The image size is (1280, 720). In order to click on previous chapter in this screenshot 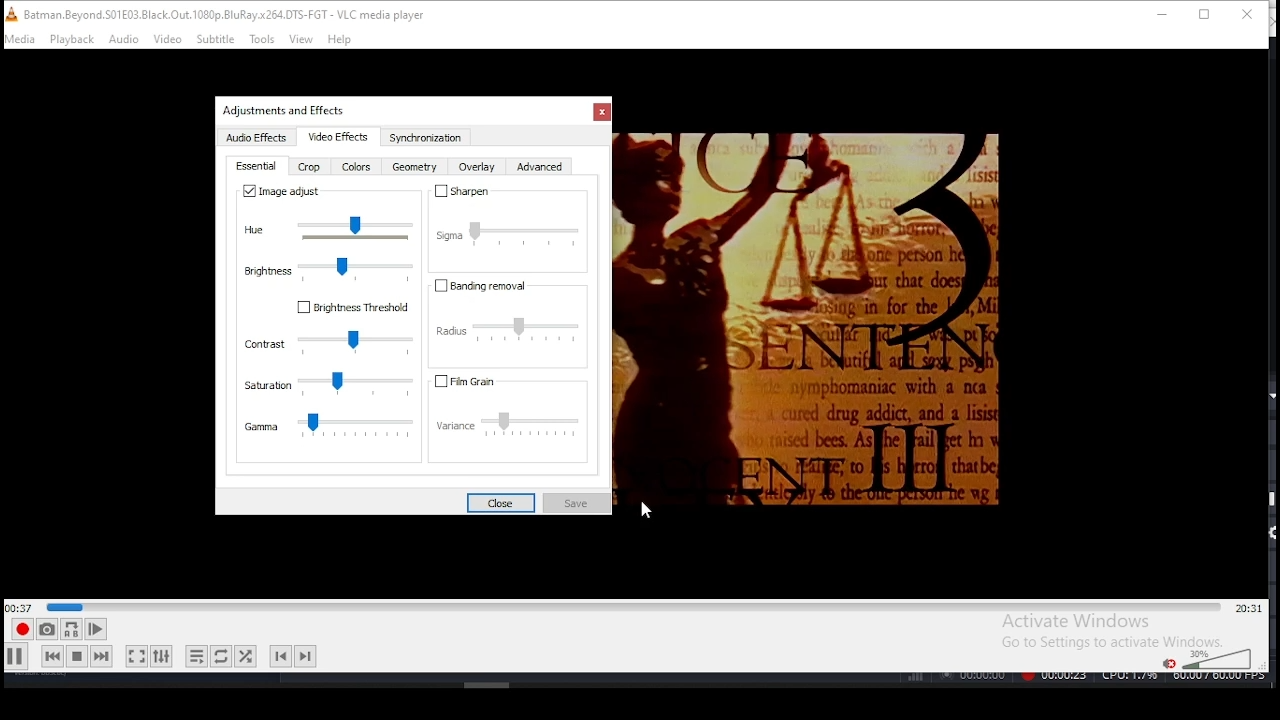, I will do `click(279, 657)`.